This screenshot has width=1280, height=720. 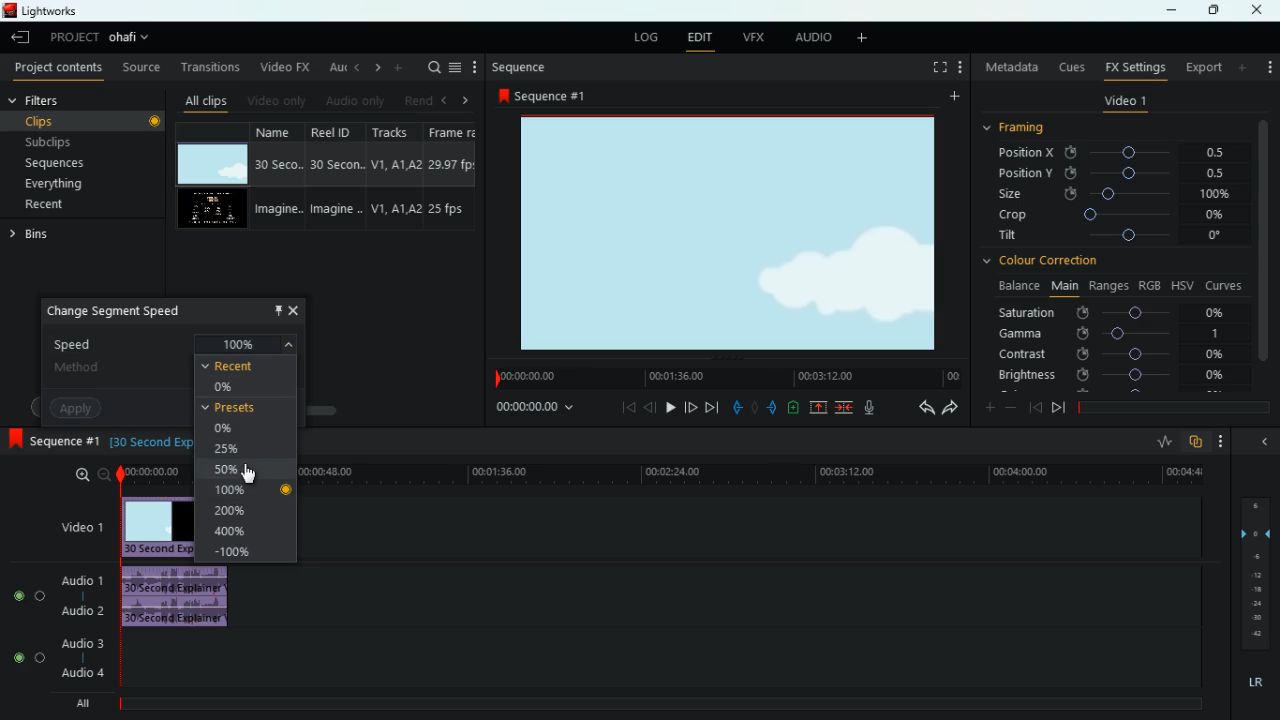 What do you see at coordinates (85, 121) in the screenshot?
I see `clips` at bounding box center [85, 121].